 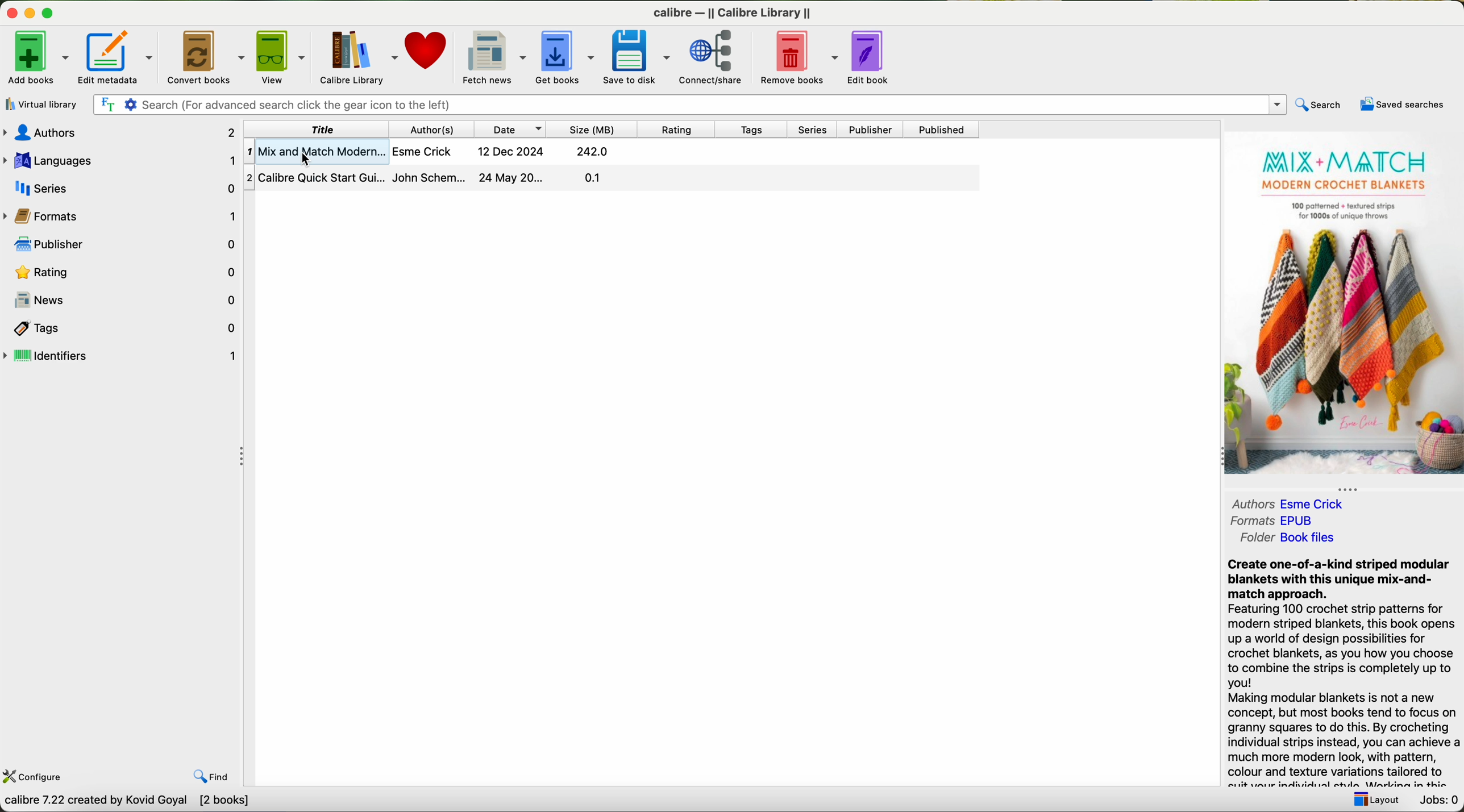 What do you see at coordinates (121, 356) in the screenshot?
I see `identifiers` at bounding box center [121, 356].